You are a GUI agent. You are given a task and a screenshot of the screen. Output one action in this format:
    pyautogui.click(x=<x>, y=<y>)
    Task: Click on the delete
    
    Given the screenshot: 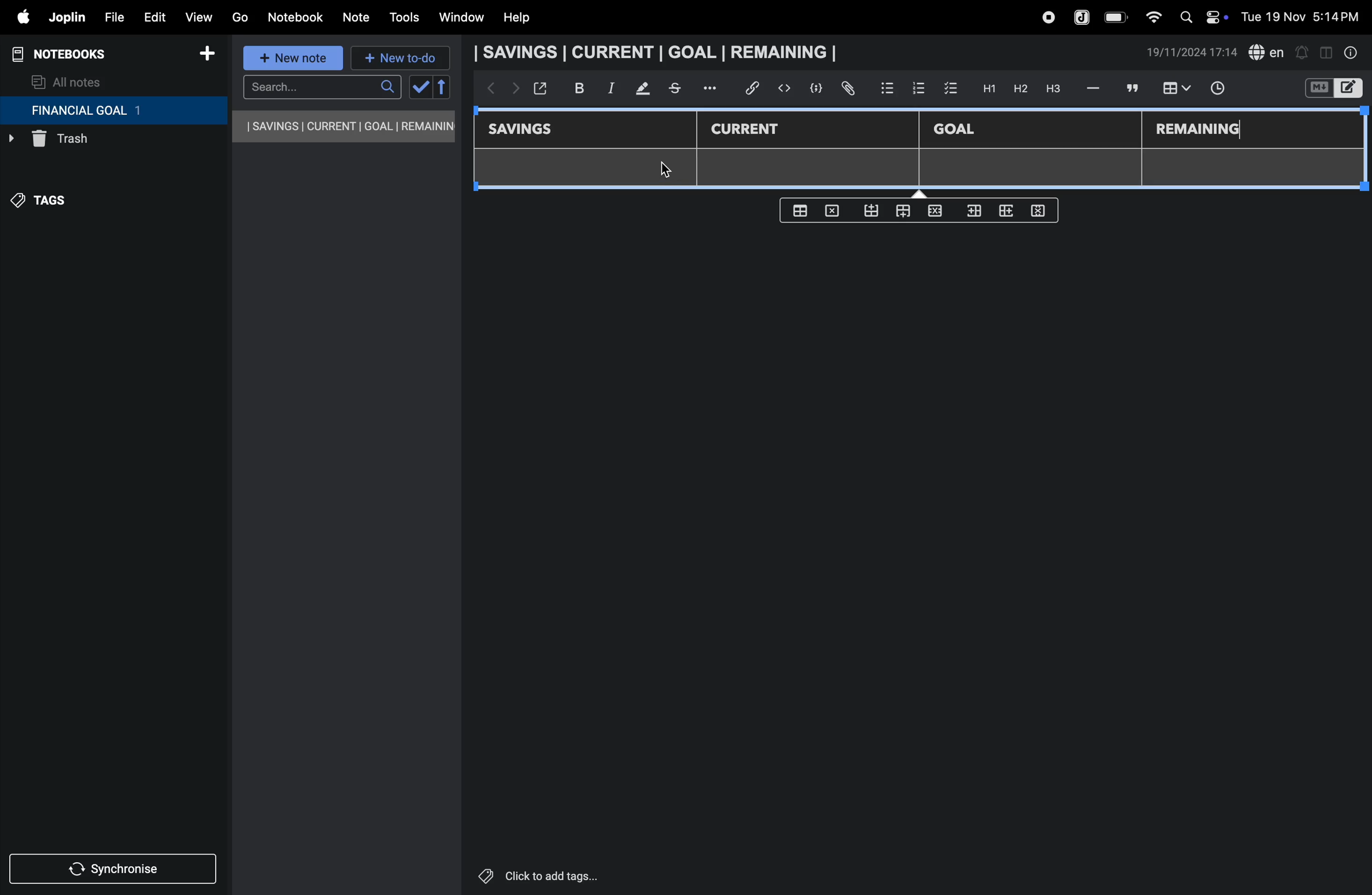 What is the action you would take?
    pyautogui.click(x=835, y=210)
    